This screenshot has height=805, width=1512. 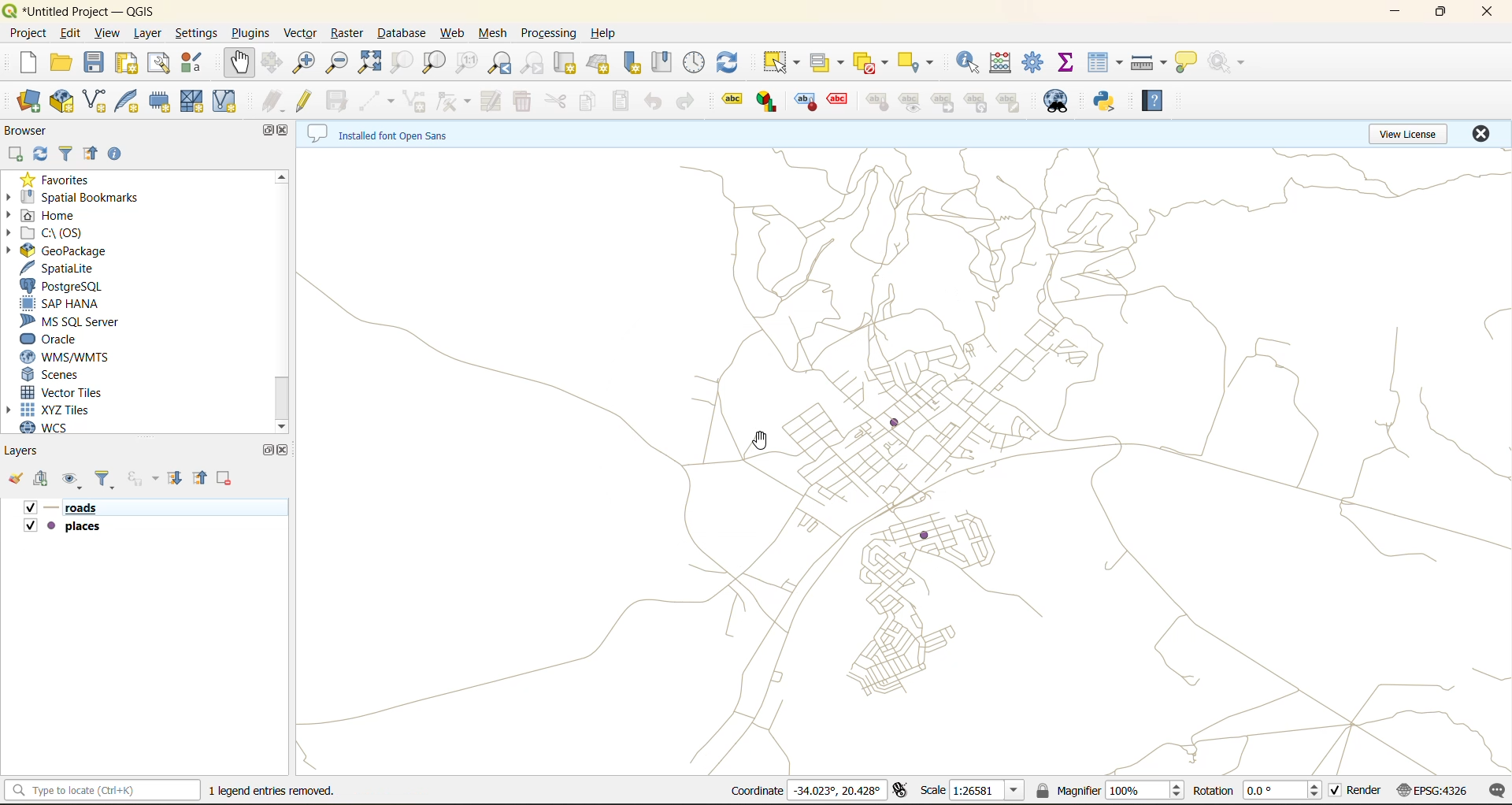 I want to click on settings, so click(x=197, y=33).